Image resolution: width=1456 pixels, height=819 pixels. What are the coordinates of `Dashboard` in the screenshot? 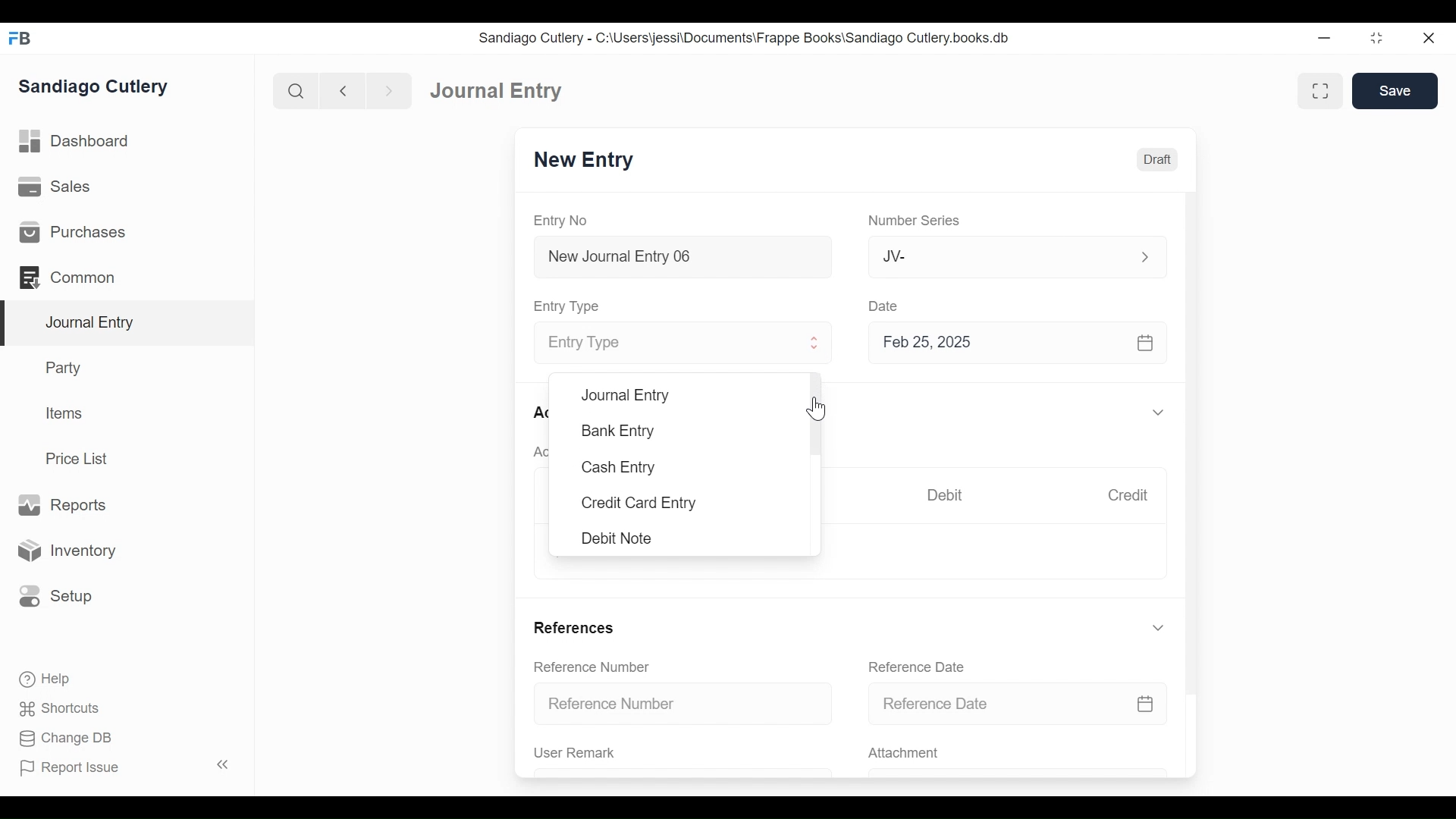 It's located at (76, 142).